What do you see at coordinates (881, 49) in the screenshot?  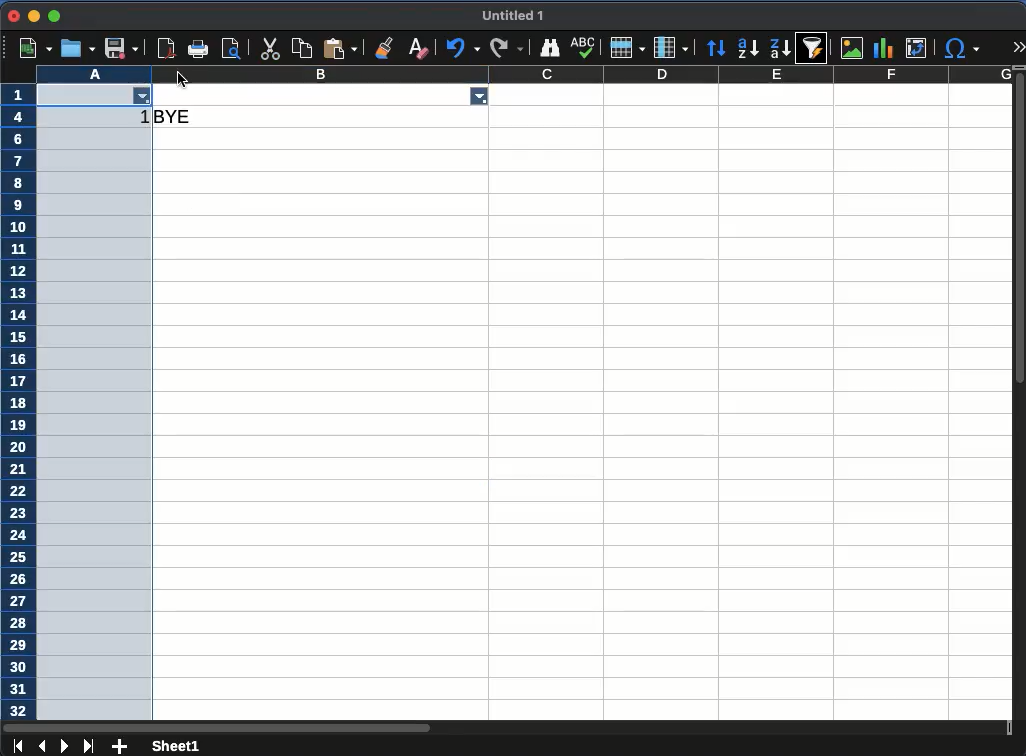 I see `chart` at bounding box center [881, 49].